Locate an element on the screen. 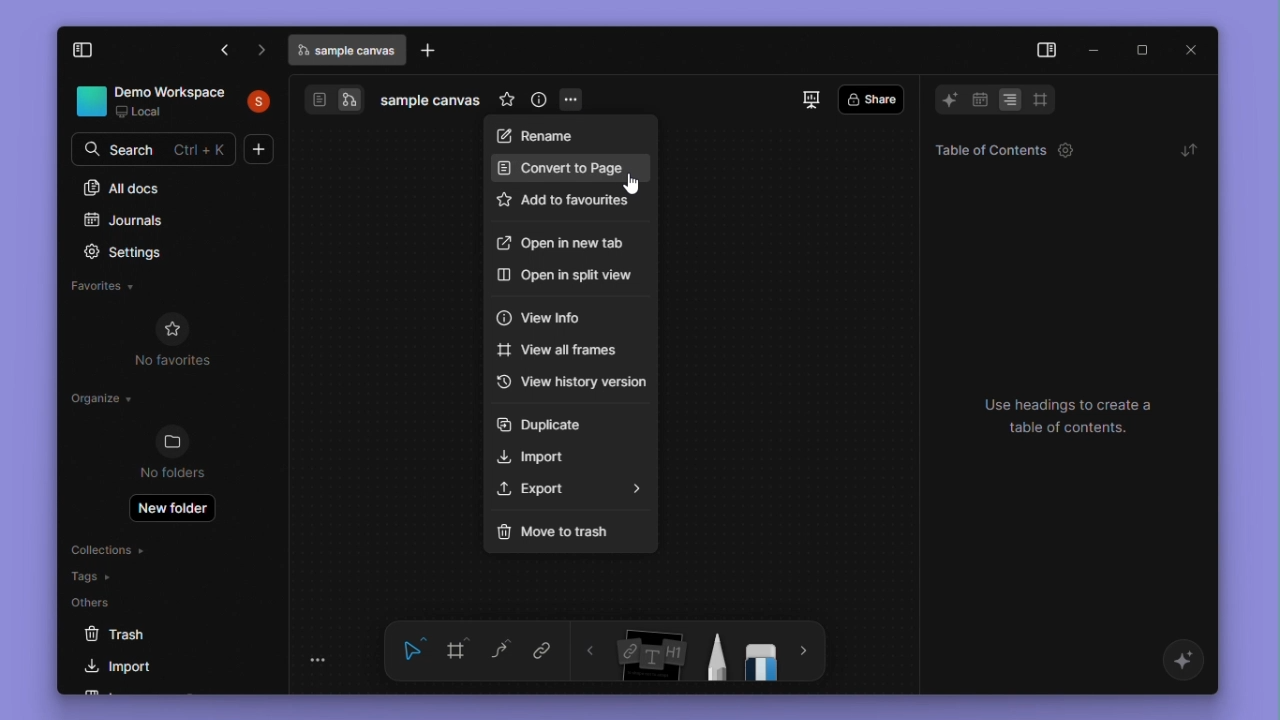 The image size is (1280, 720). add To favourite is located at coordinates (562, 204).